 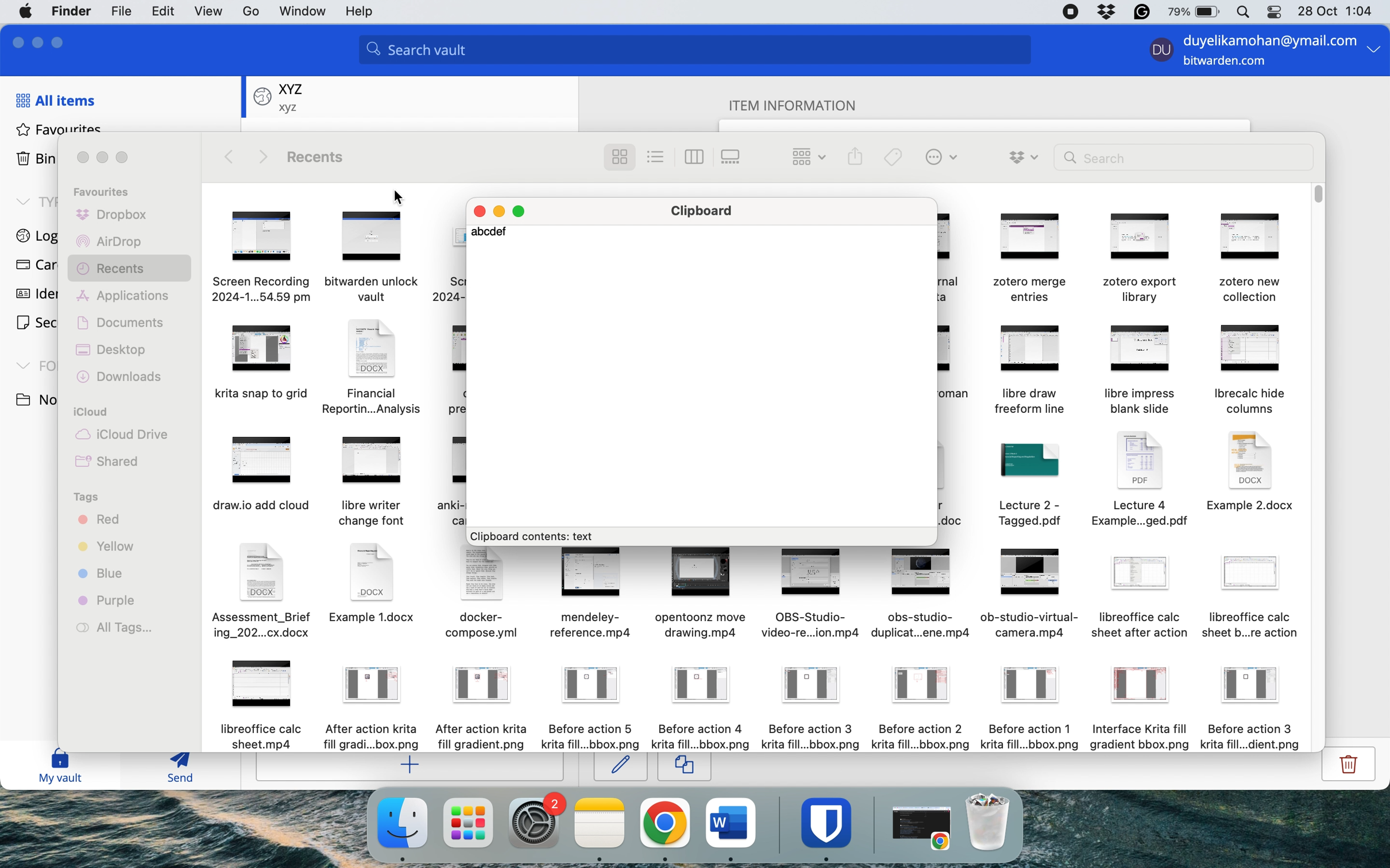 I want to click on control center, so click(x=1272, y=14).